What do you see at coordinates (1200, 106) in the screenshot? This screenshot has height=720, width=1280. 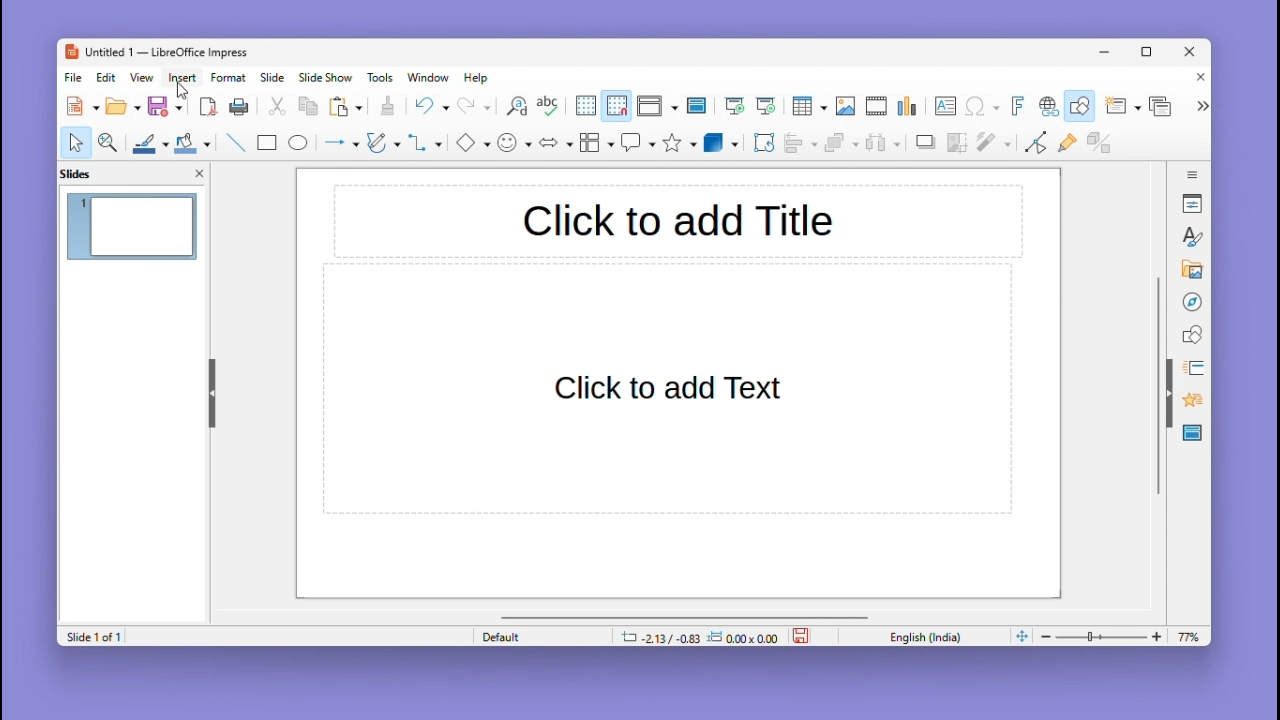 I see `expand` at bounding box center [1200, 106].